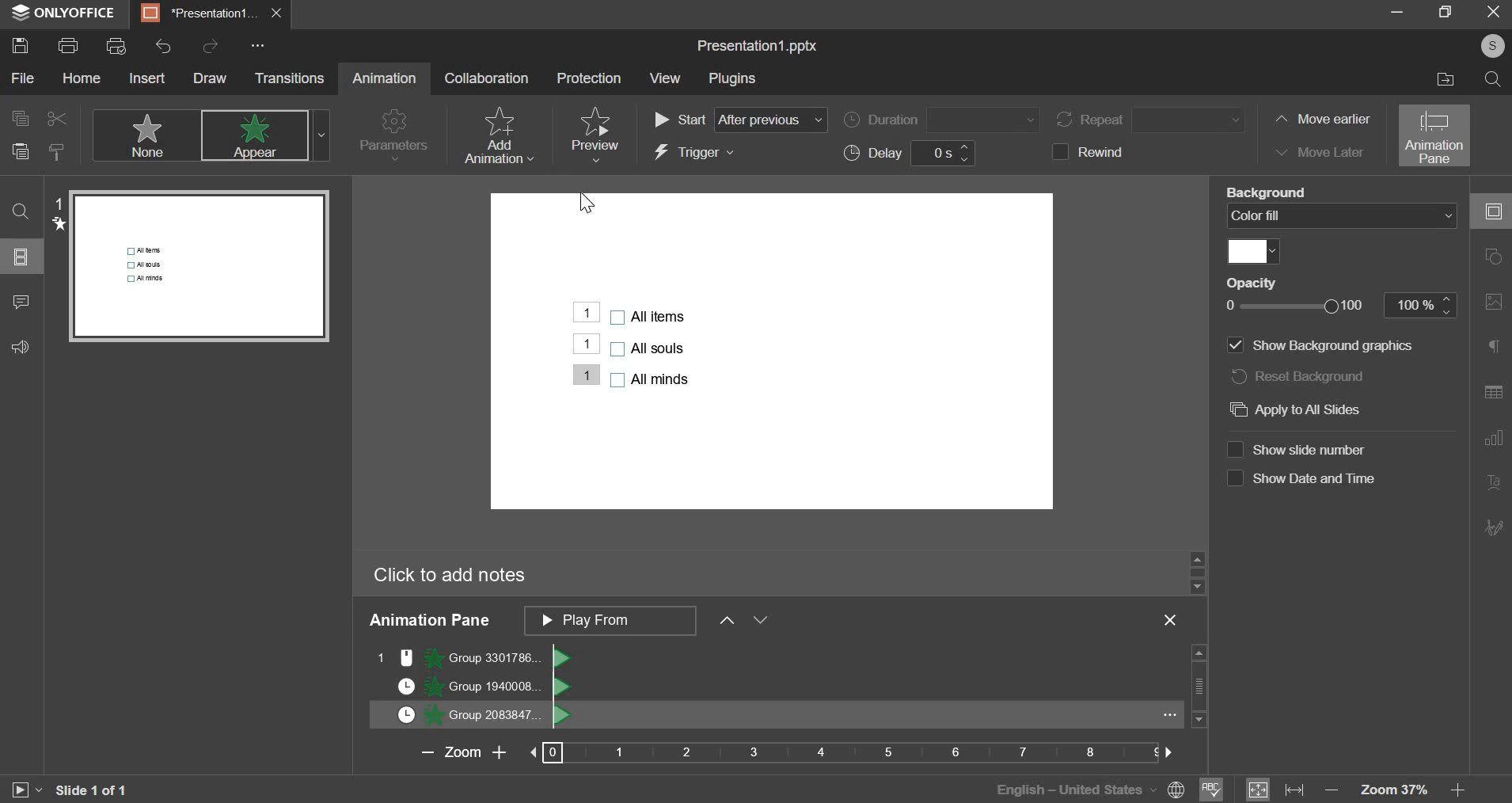 Image resolution: width=1512 pixels, height=803 pixels. What do you see at coordinates (1305, 409) in the screenshot?
I see `apply to all slides` at bounding box center [1305, 409].